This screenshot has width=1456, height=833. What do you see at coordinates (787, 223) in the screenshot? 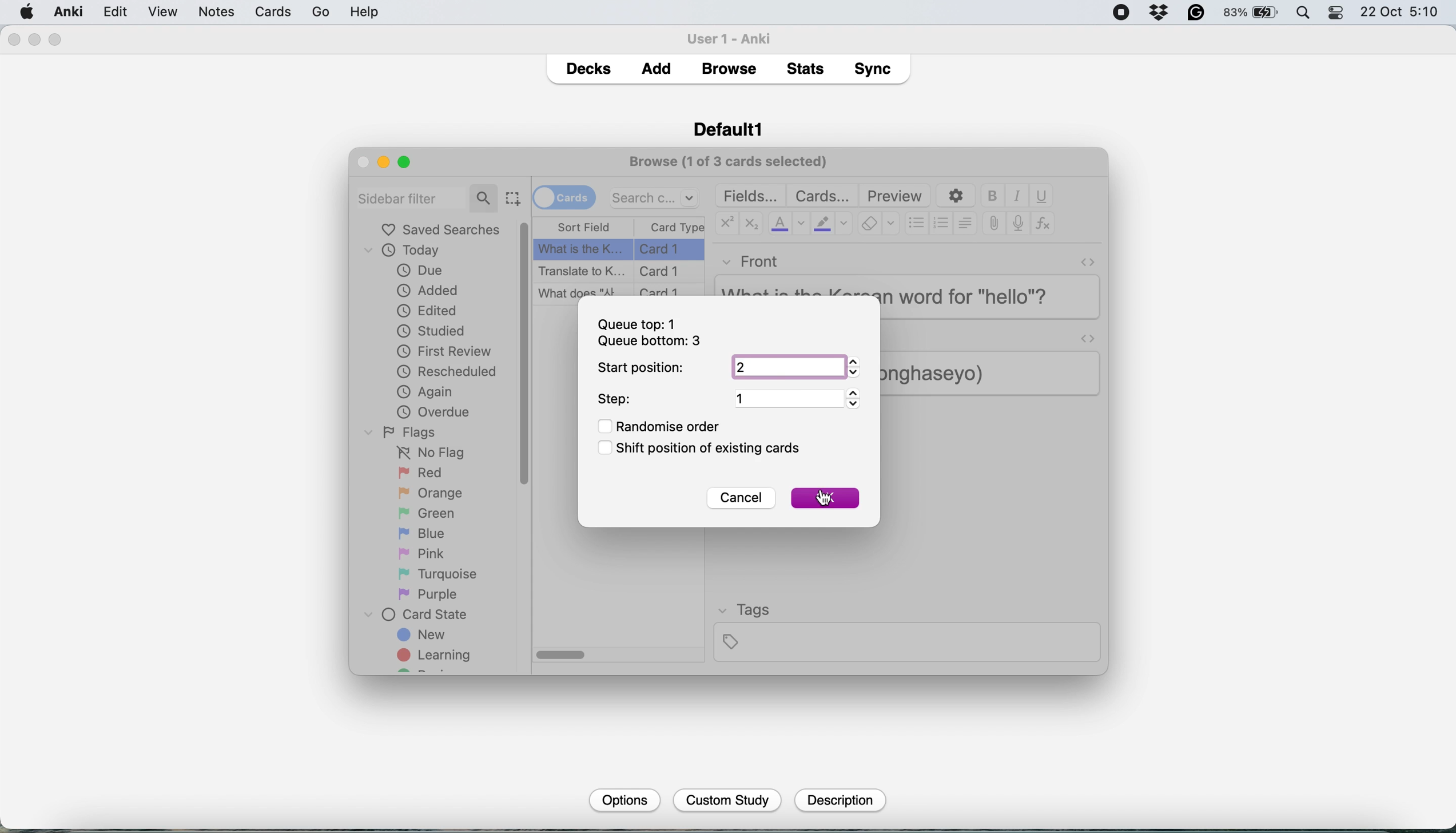
I see `text color` at bounding box center [787, 223].